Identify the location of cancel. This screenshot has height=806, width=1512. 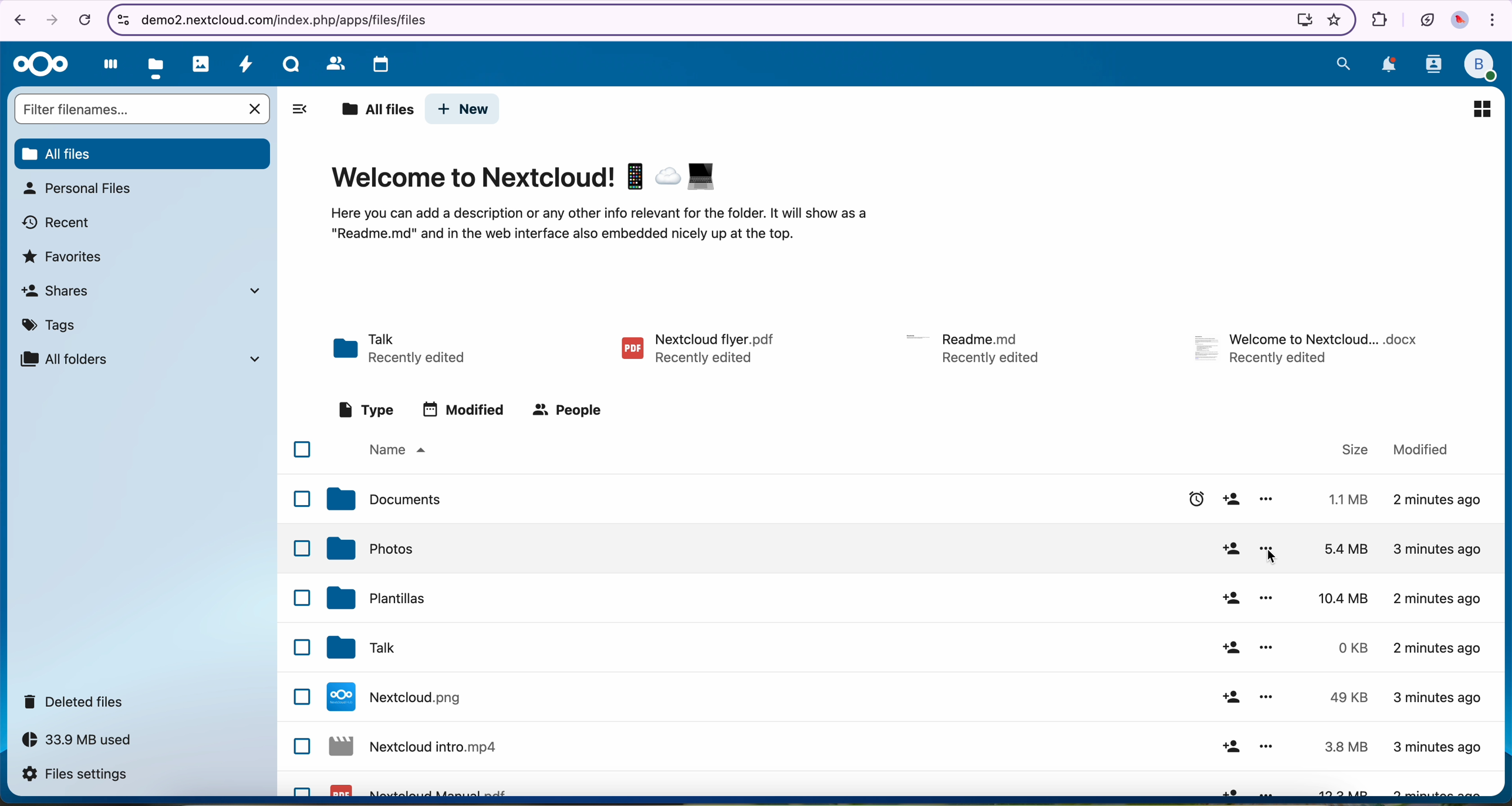
(84, 21).